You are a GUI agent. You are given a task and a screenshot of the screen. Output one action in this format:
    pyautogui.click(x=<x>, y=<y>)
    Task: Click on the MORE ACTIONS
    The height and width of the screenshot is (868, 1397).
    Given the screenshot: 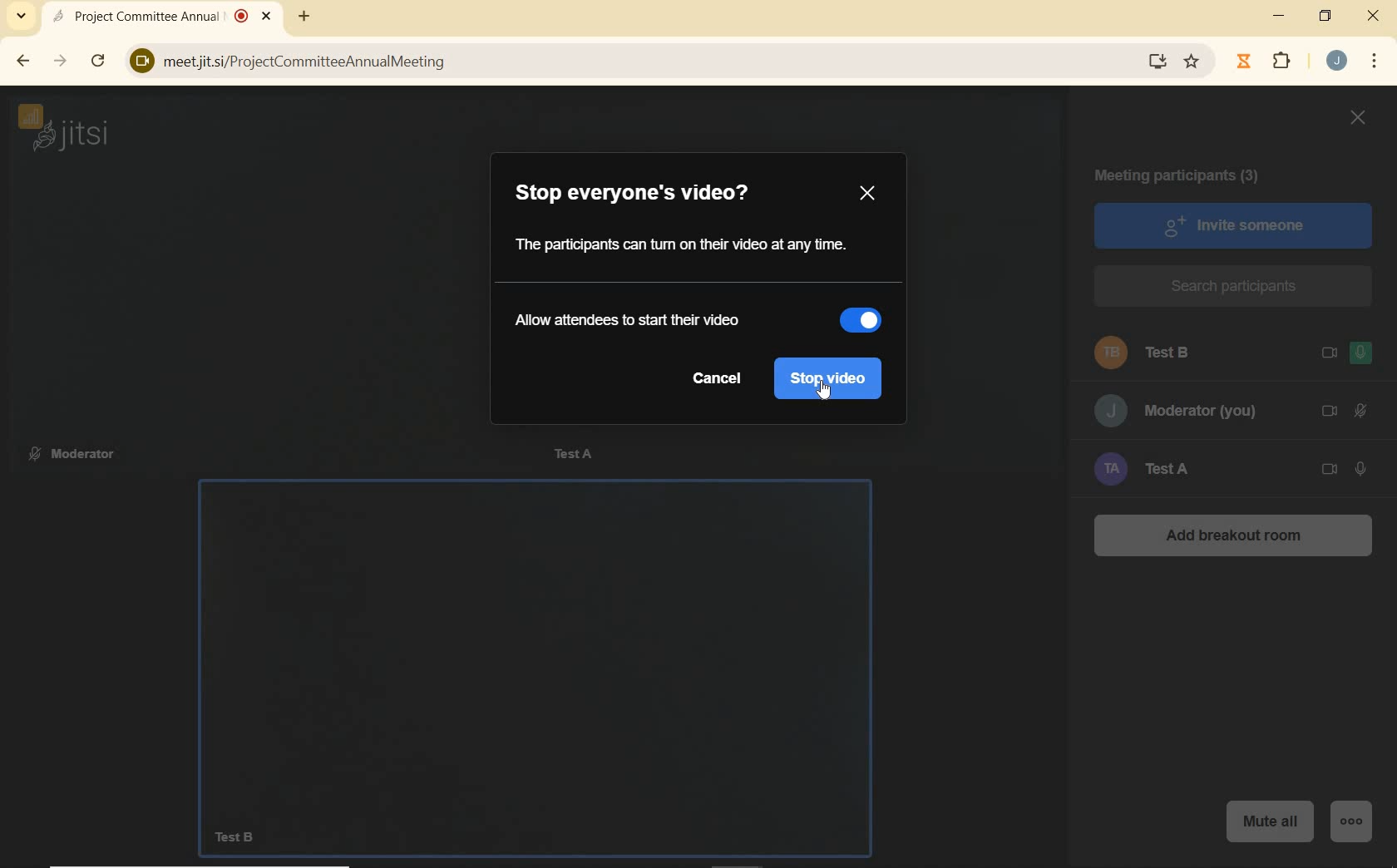 What is the action you would take?
    pyautogui.click(x=1350, y=822)
    